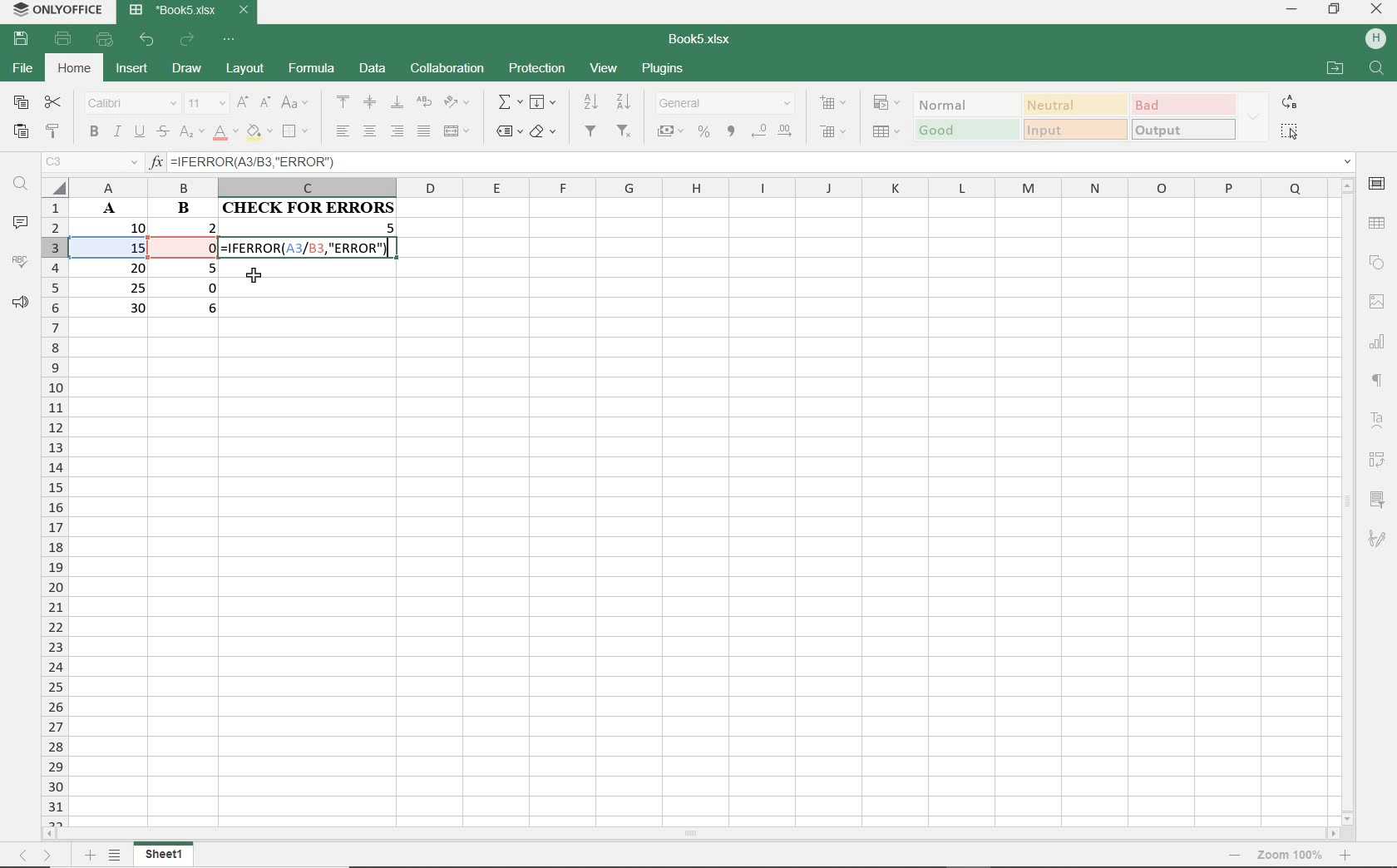 The image size is (1397, 868). What do you see at coordinates (90, 855) in the screenshot?
I see `` at bounding box center [90, 855].